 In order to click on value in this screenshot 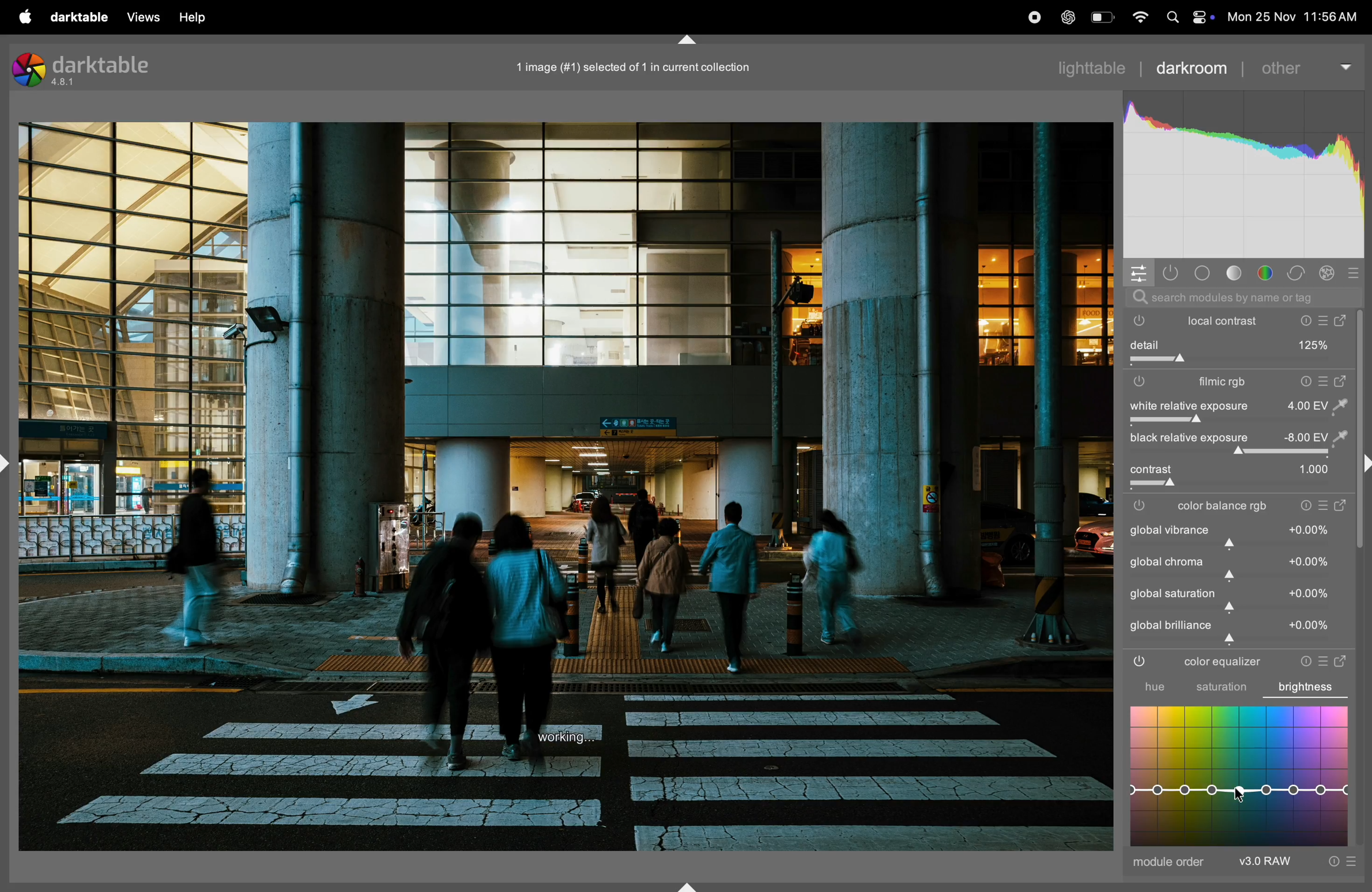, I will do `click(1316, 437)`.